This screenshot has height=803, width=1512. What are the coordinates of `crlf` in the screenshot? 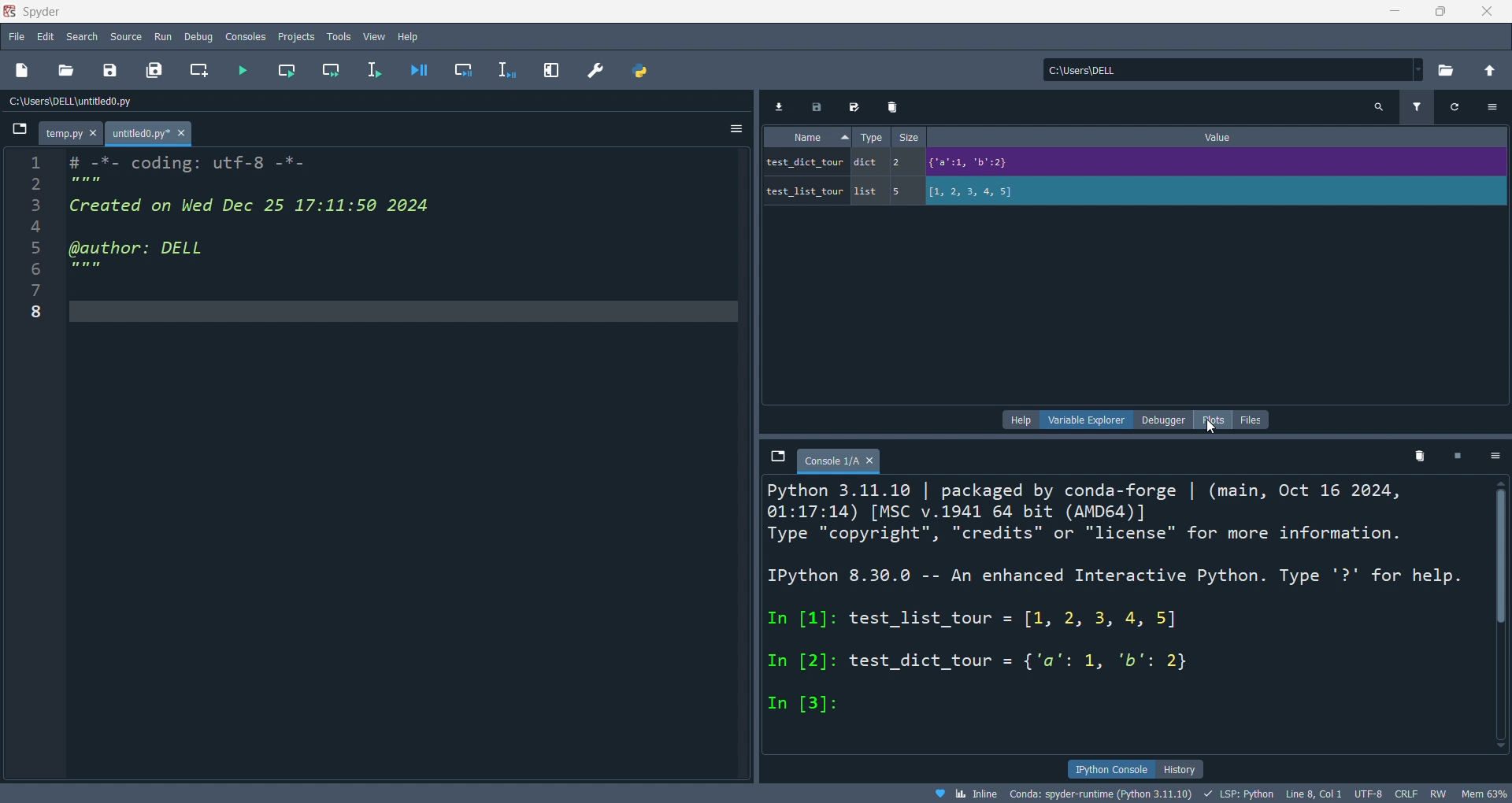 It's located at (1405, 793).